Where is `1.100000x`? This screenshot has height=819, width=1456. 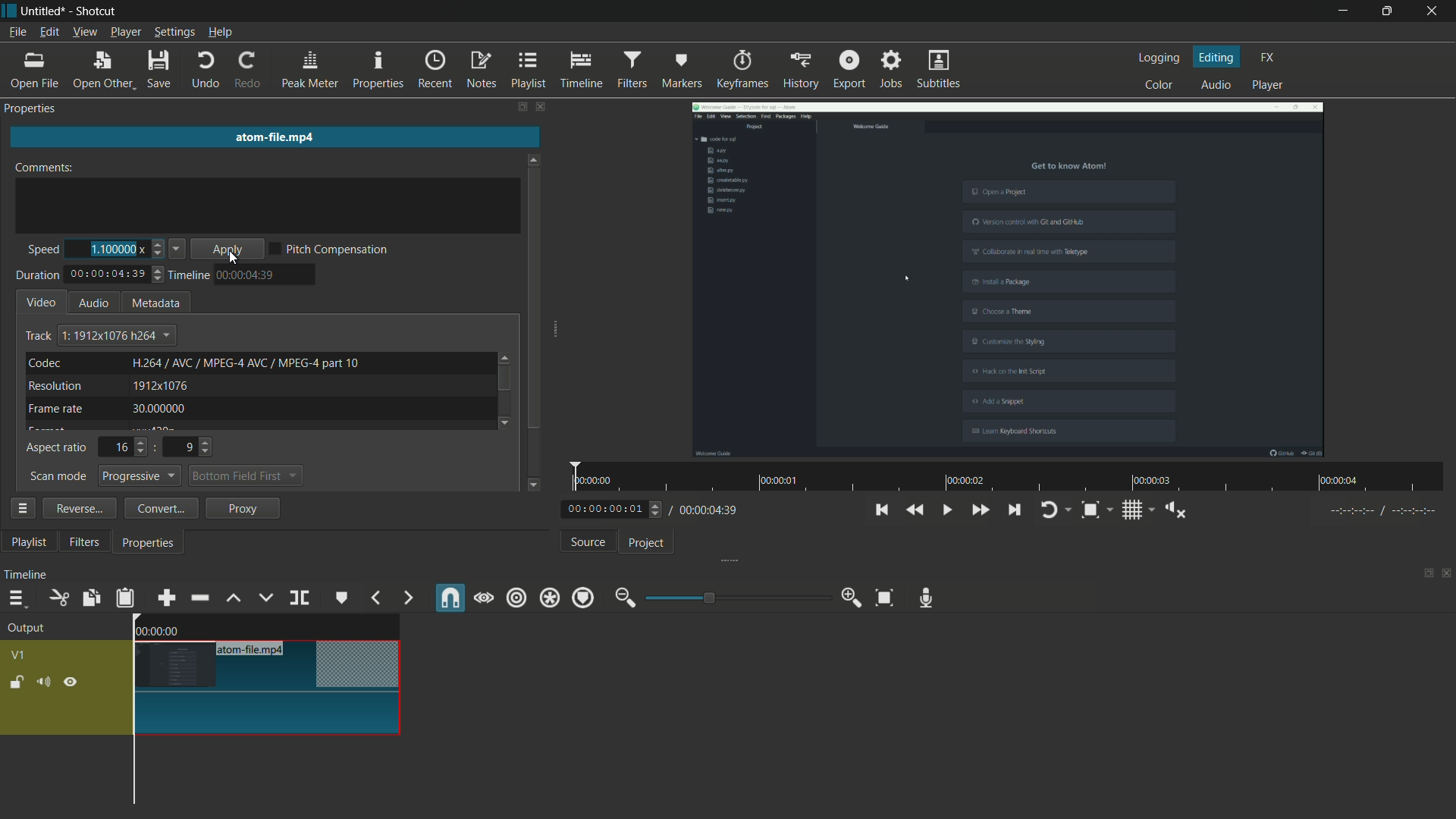
1.100000x is located at coordinates (116, 248).